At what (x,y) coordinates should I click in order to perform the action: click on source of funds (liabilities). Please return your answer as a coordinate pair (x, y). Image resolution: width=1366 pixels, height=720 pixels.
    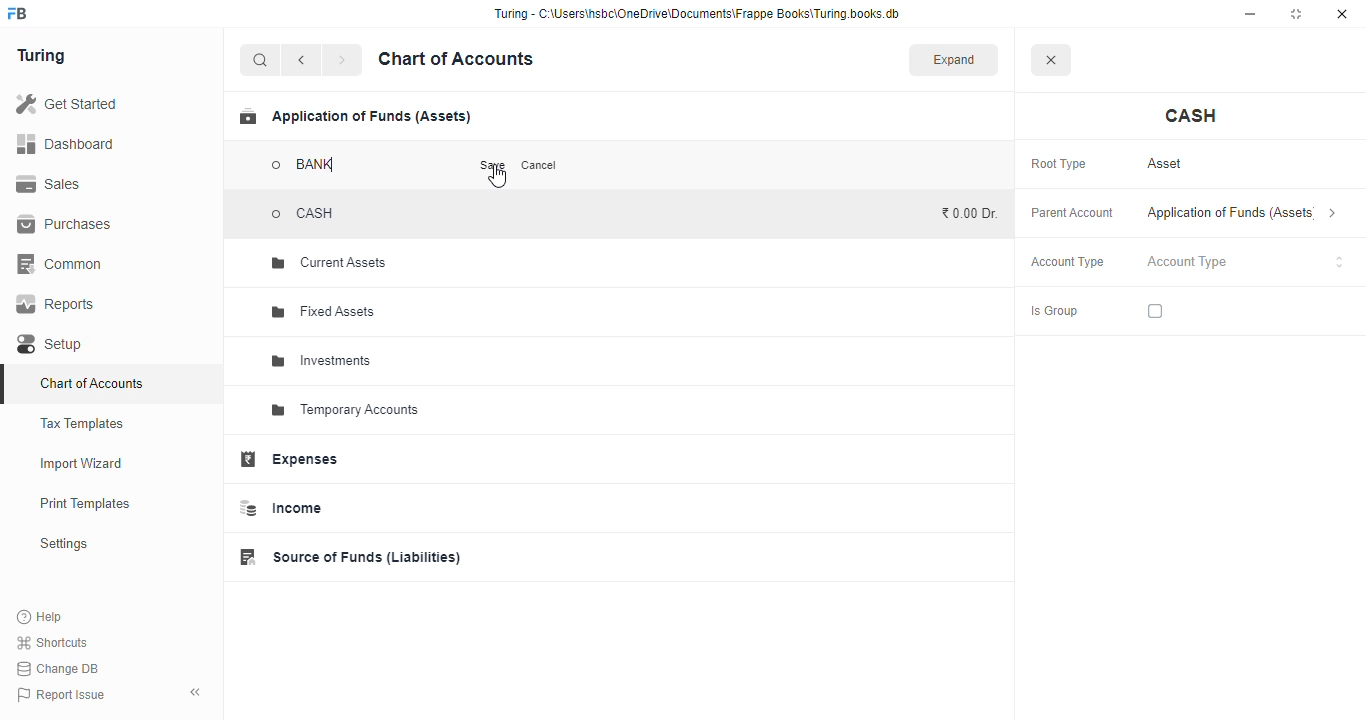
    Looking at the image, I should click on (351, 557).